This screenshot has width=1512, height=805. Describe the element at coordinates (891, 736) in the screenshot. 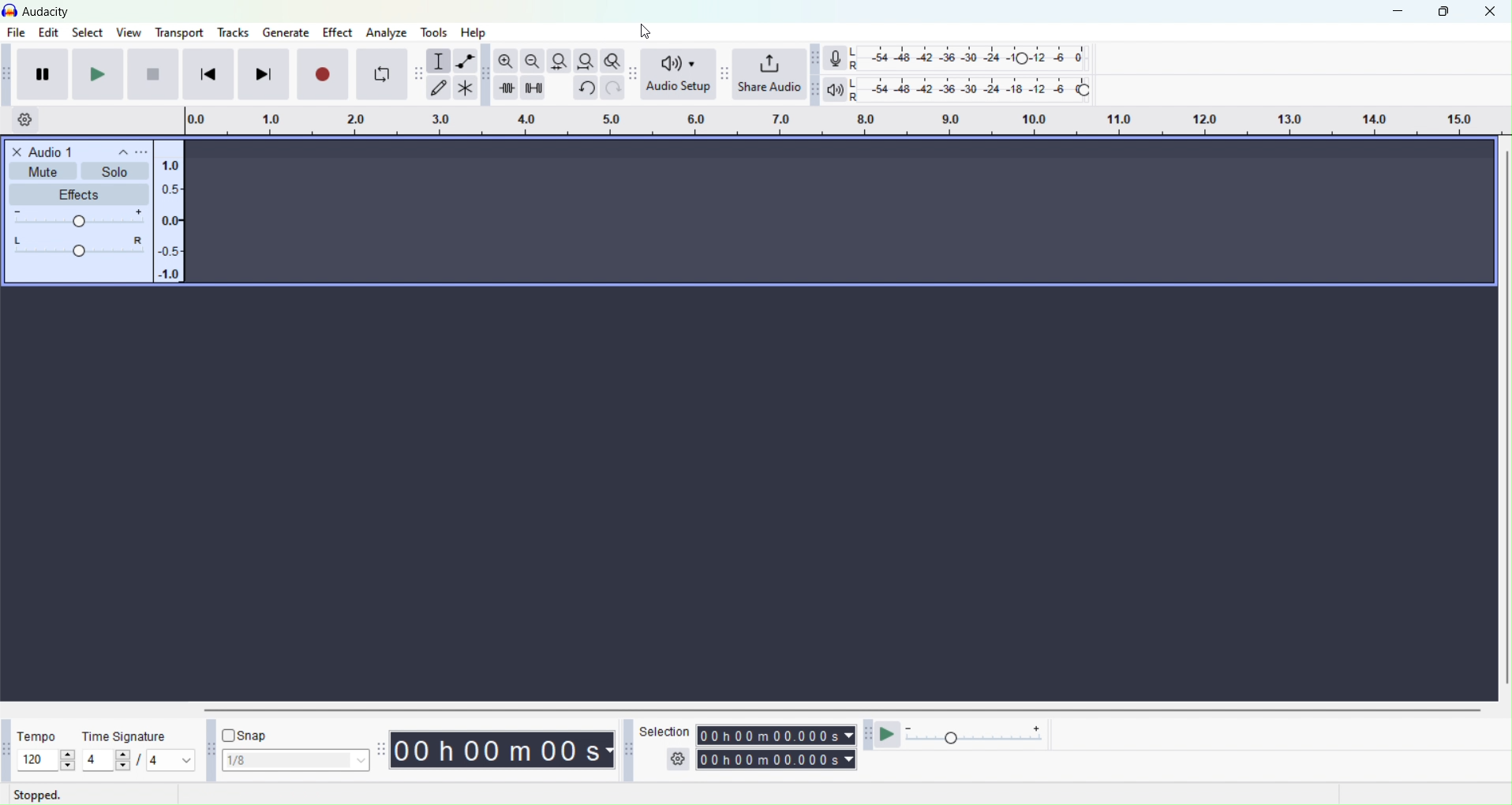

I see `Play at speed` at that location.